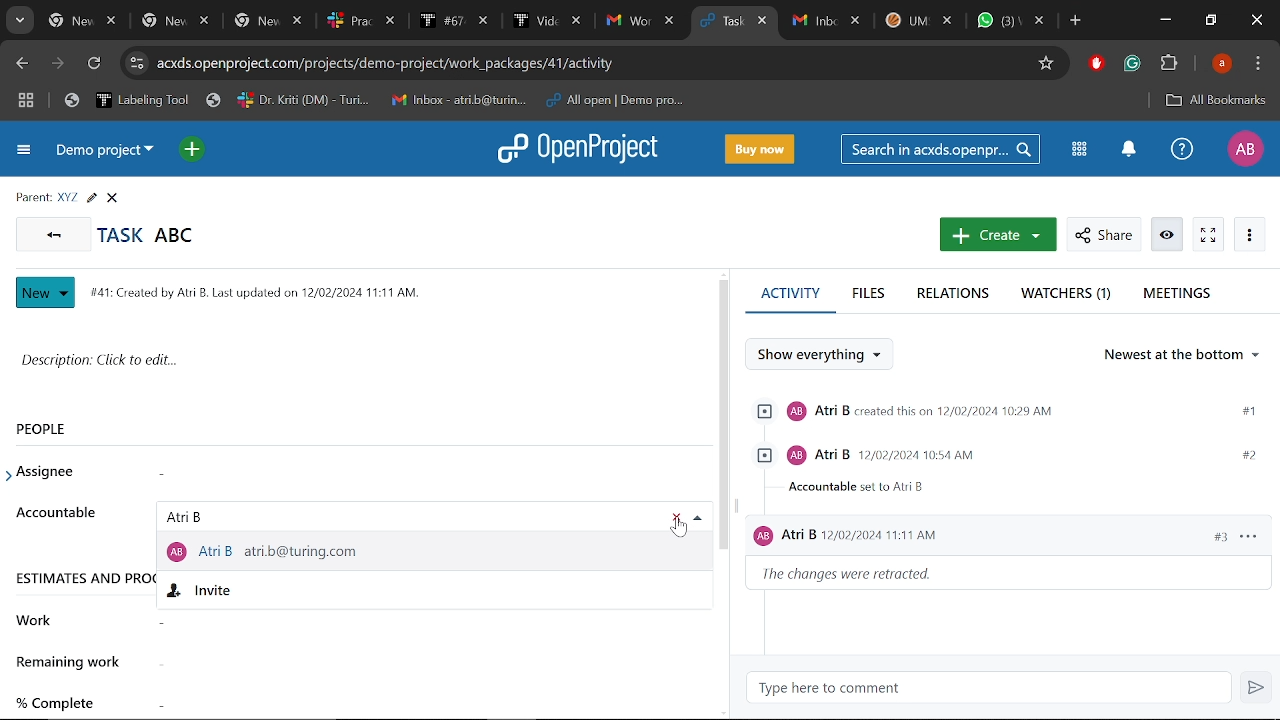  Describe the element at coordinates (25, 150) in the screenshot. I see `Expand project menu` at that location.